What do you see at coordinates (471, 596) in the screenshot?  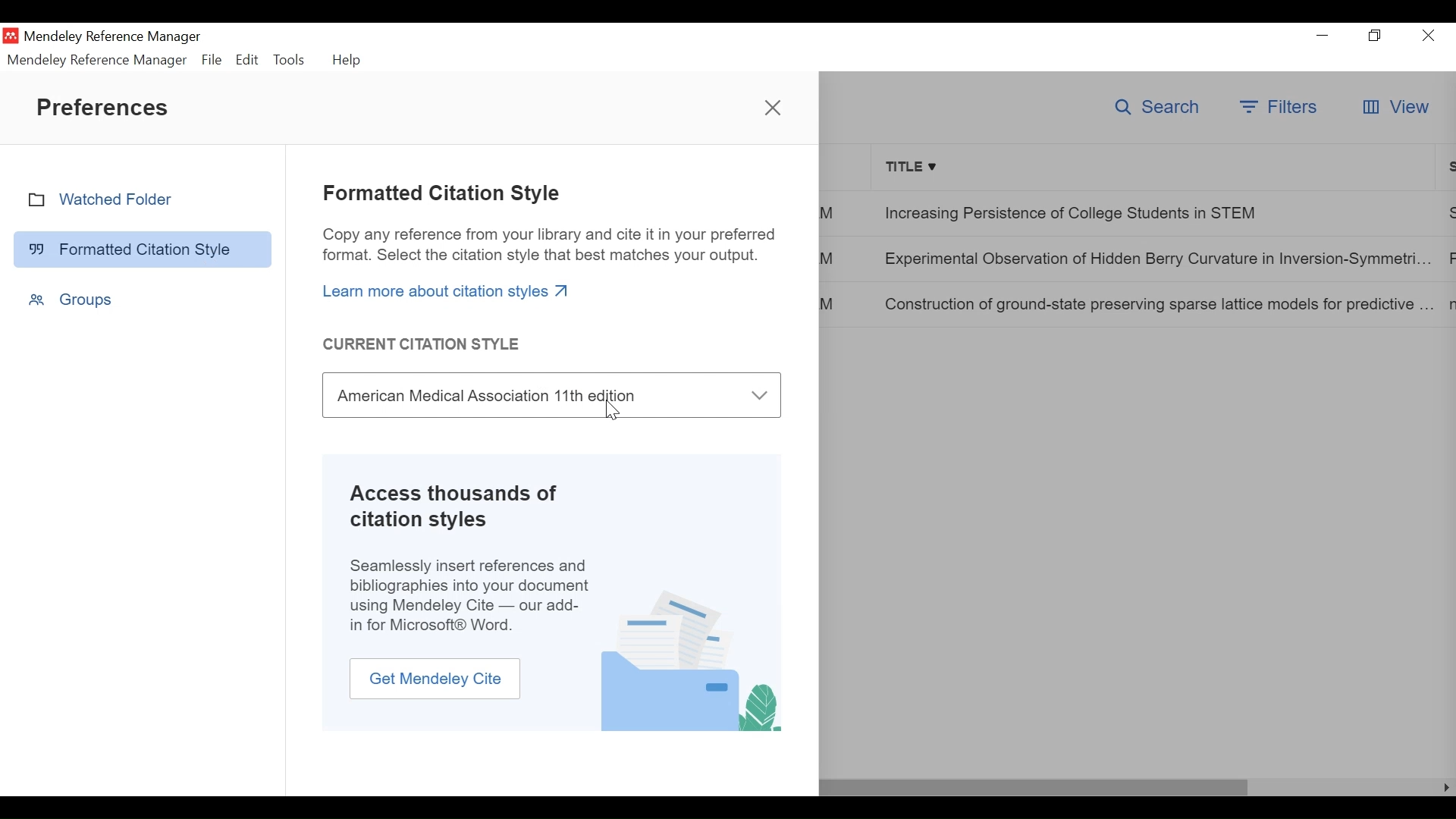 I see `Seamlessly insert references and bibliographies into your document using Mendeley Cite — our add-in for Microsoft® Word` at bounding box center [471, 596].